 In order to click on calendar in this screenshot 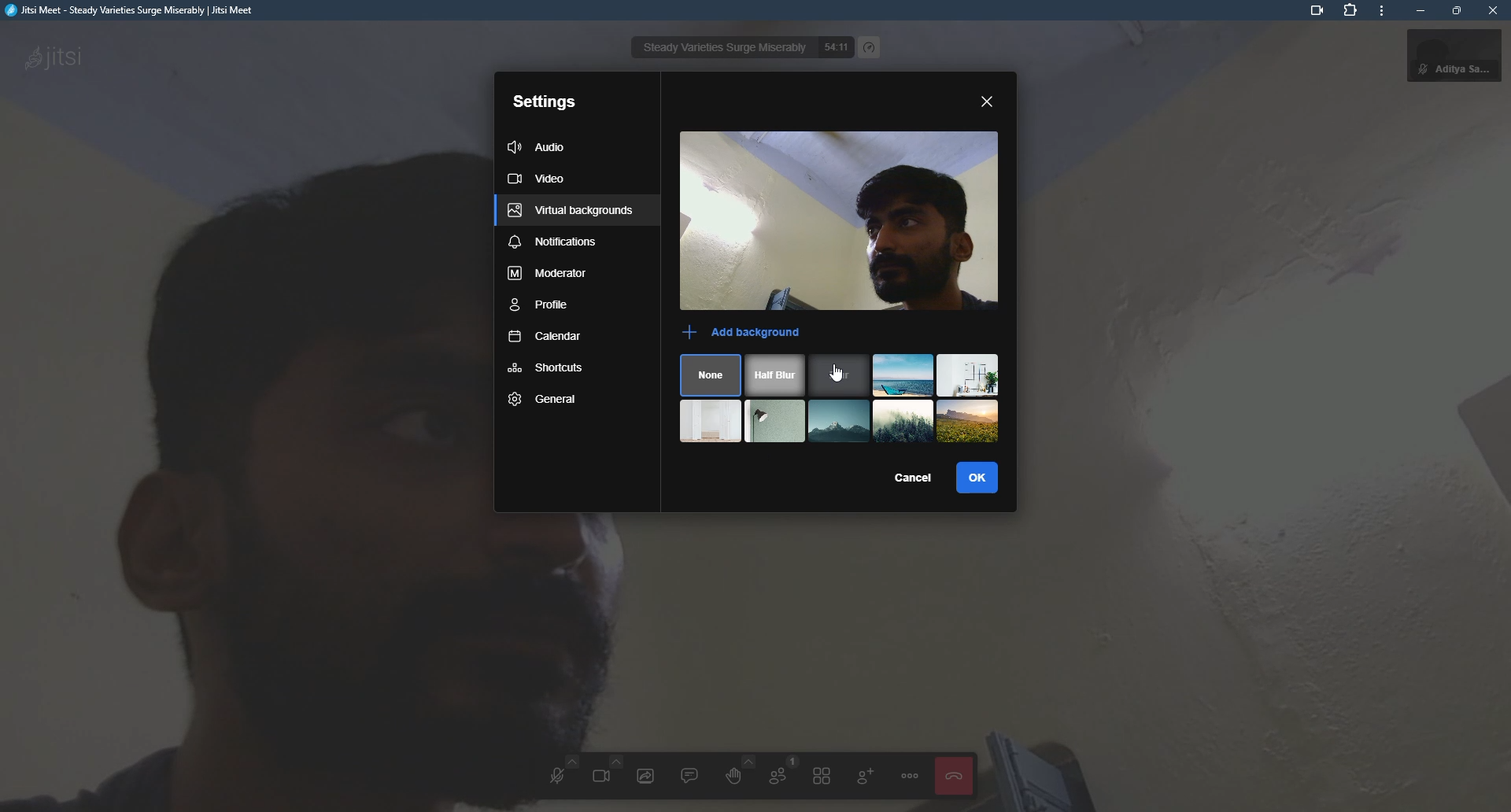, I will do `click(545, 341)`.